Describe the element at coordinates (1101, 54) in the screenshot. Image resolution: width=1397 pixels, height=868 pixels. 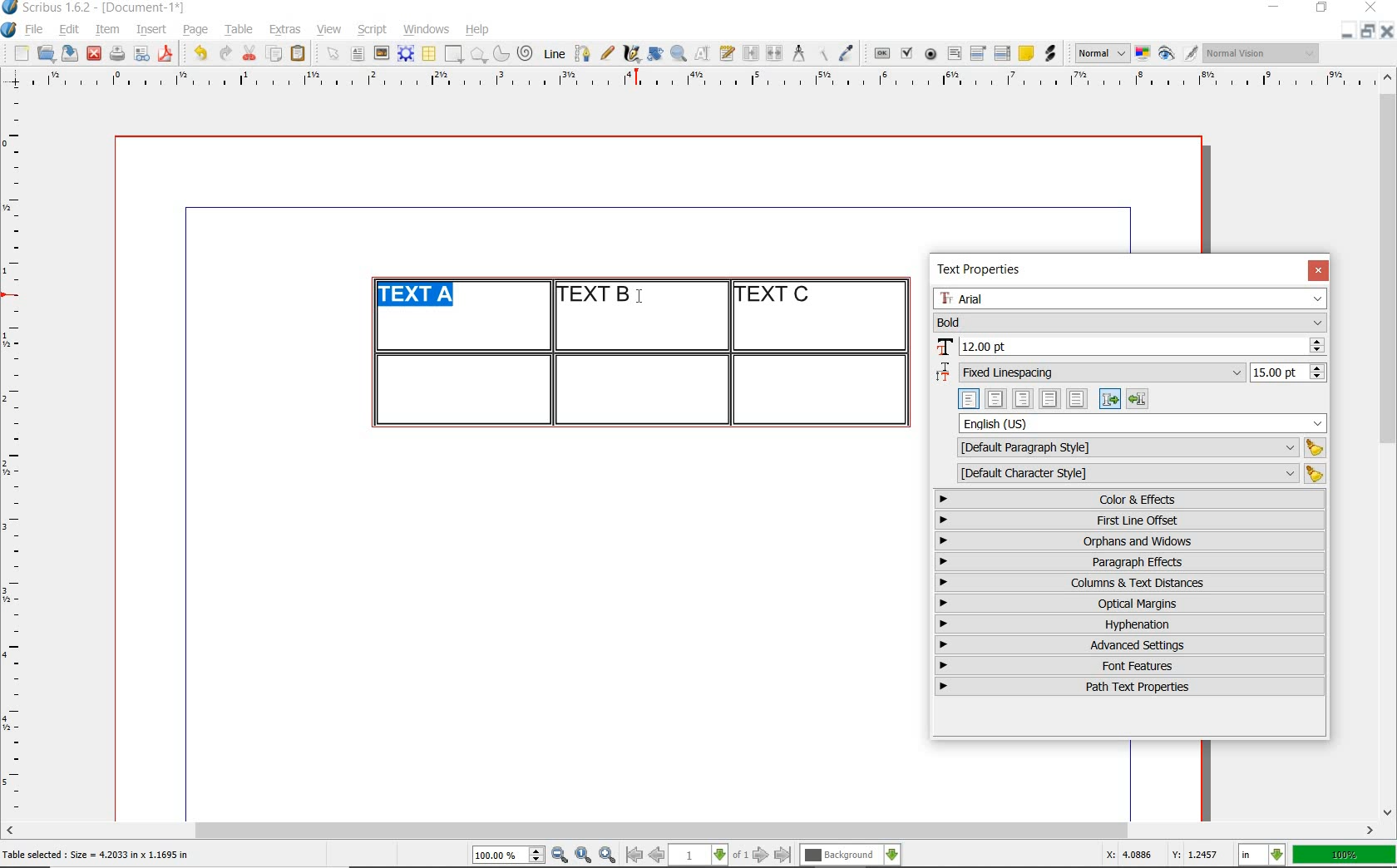
I see `select image preview mode` at that location.